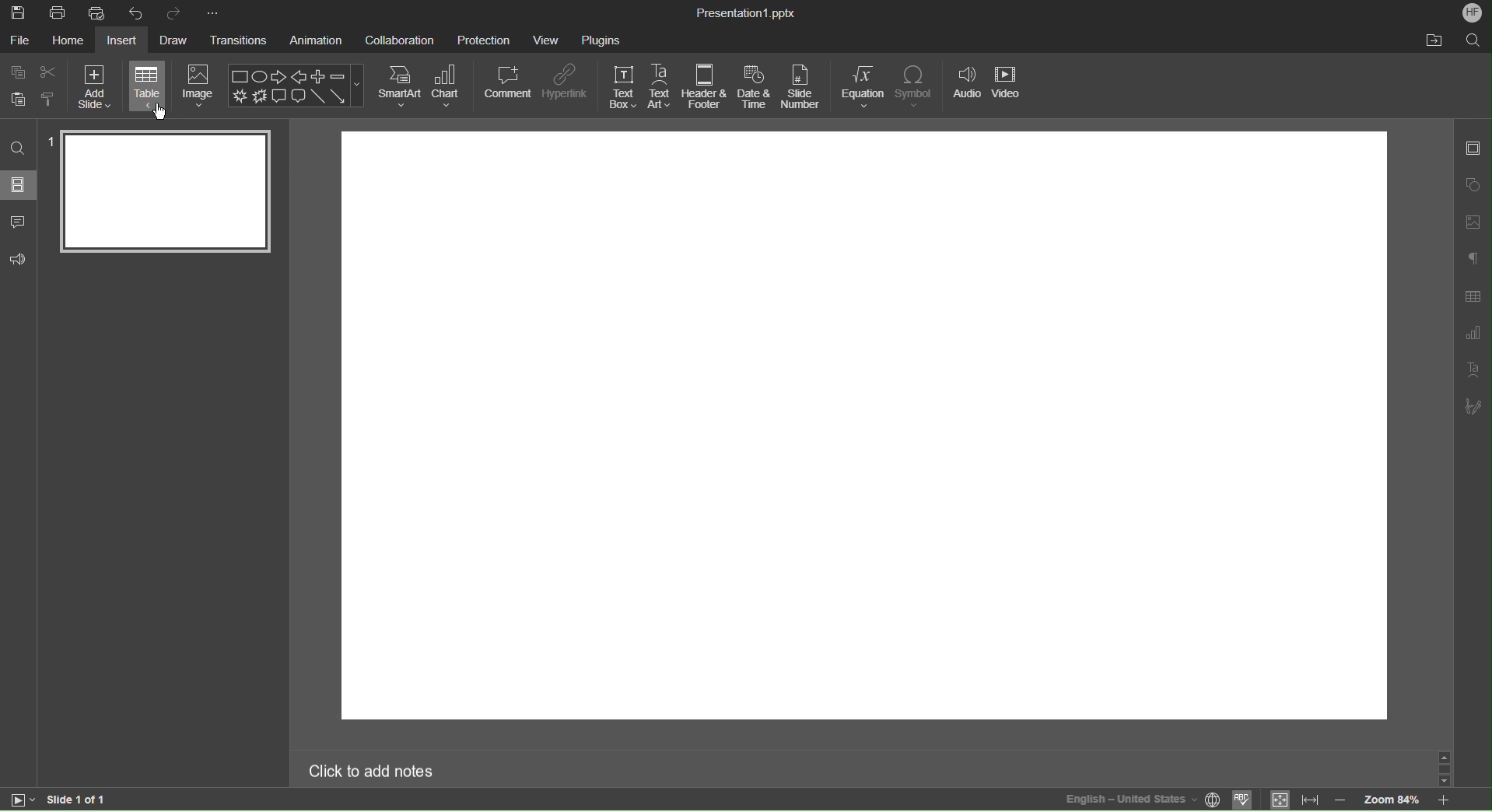 The height and width of the screenshot is (812, 1492). Describe the element at coordinates (140, 12) in the screenshot. I see `Undo` at that location.